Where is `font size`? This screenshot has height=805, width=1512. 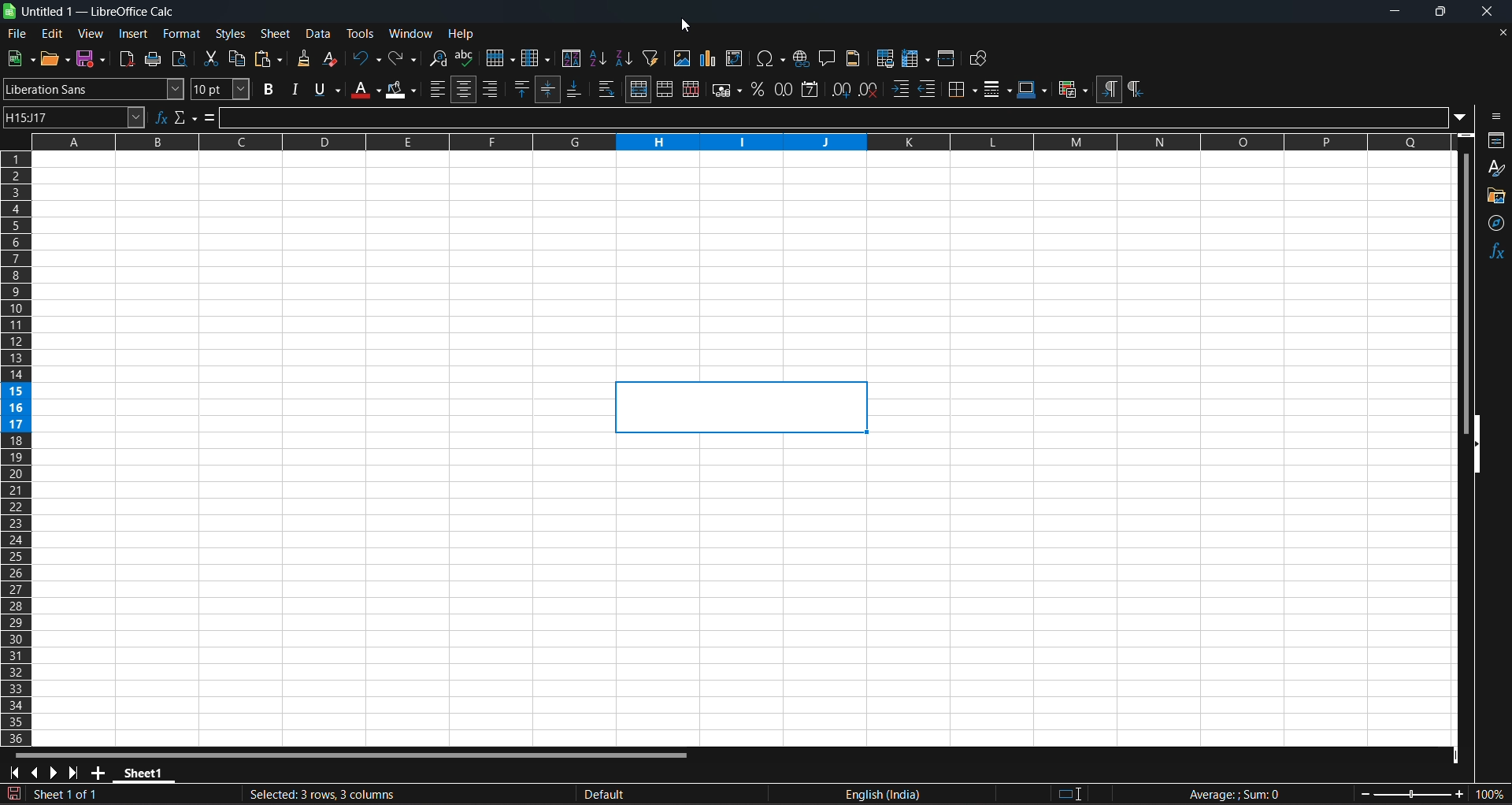 font size is located at coordinates (218, 90).